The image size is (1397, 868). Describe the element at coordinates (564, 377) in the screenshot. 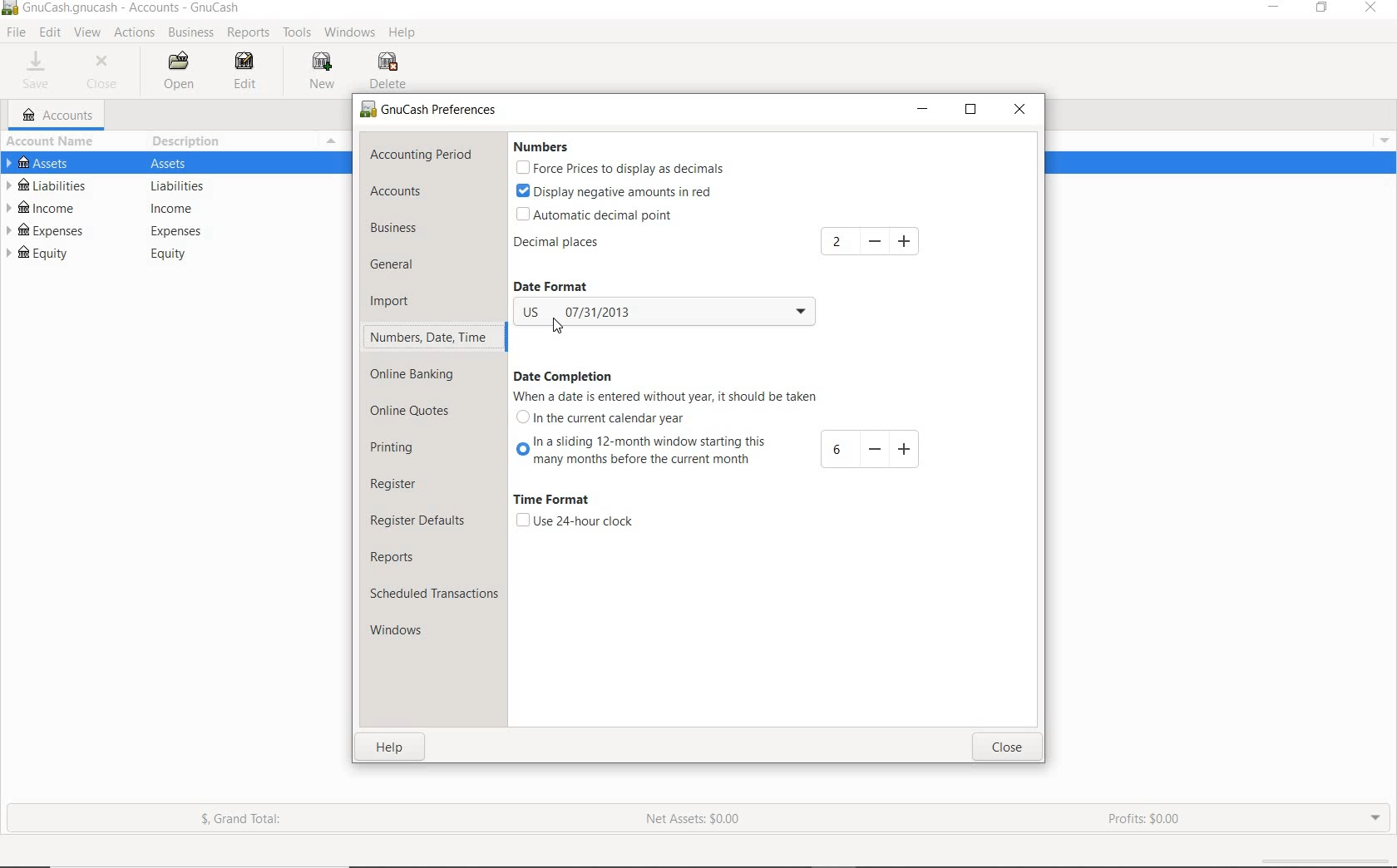

I see `ata completion` at that location.